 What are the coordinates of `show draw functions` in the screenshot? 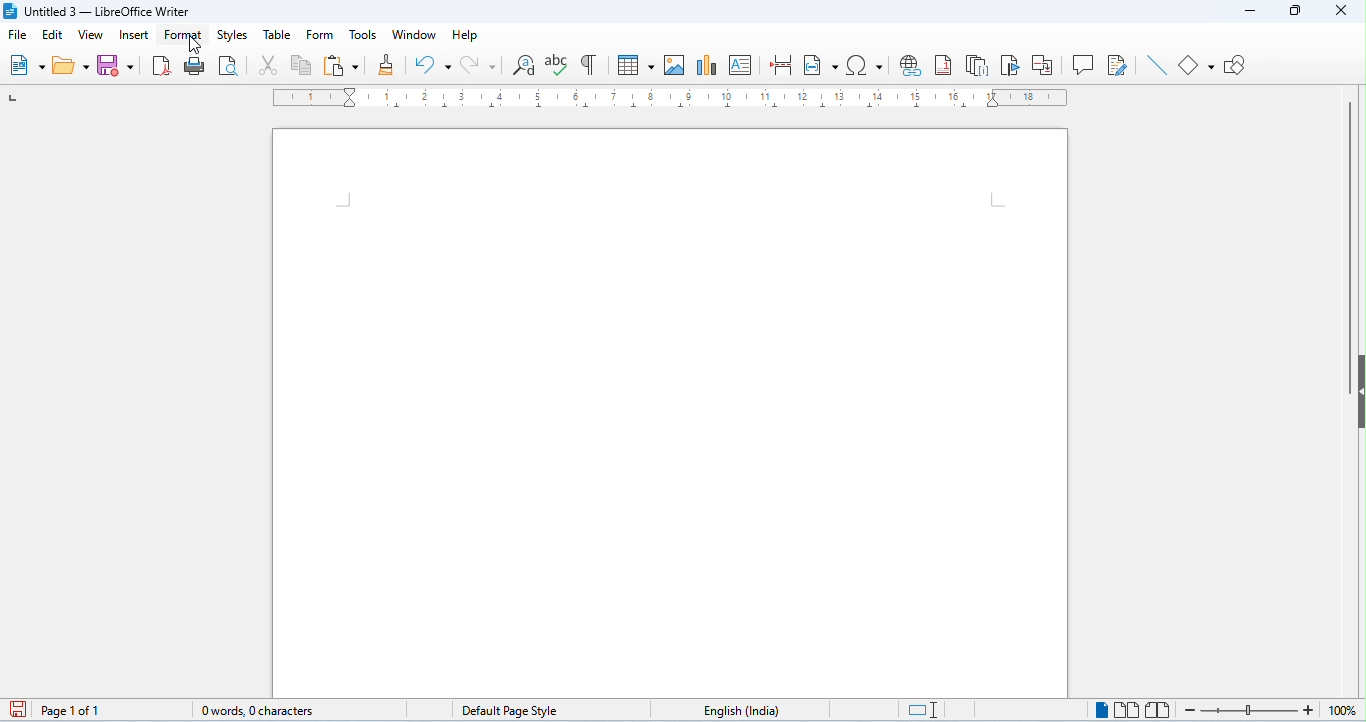 It's located at (1236, 67).